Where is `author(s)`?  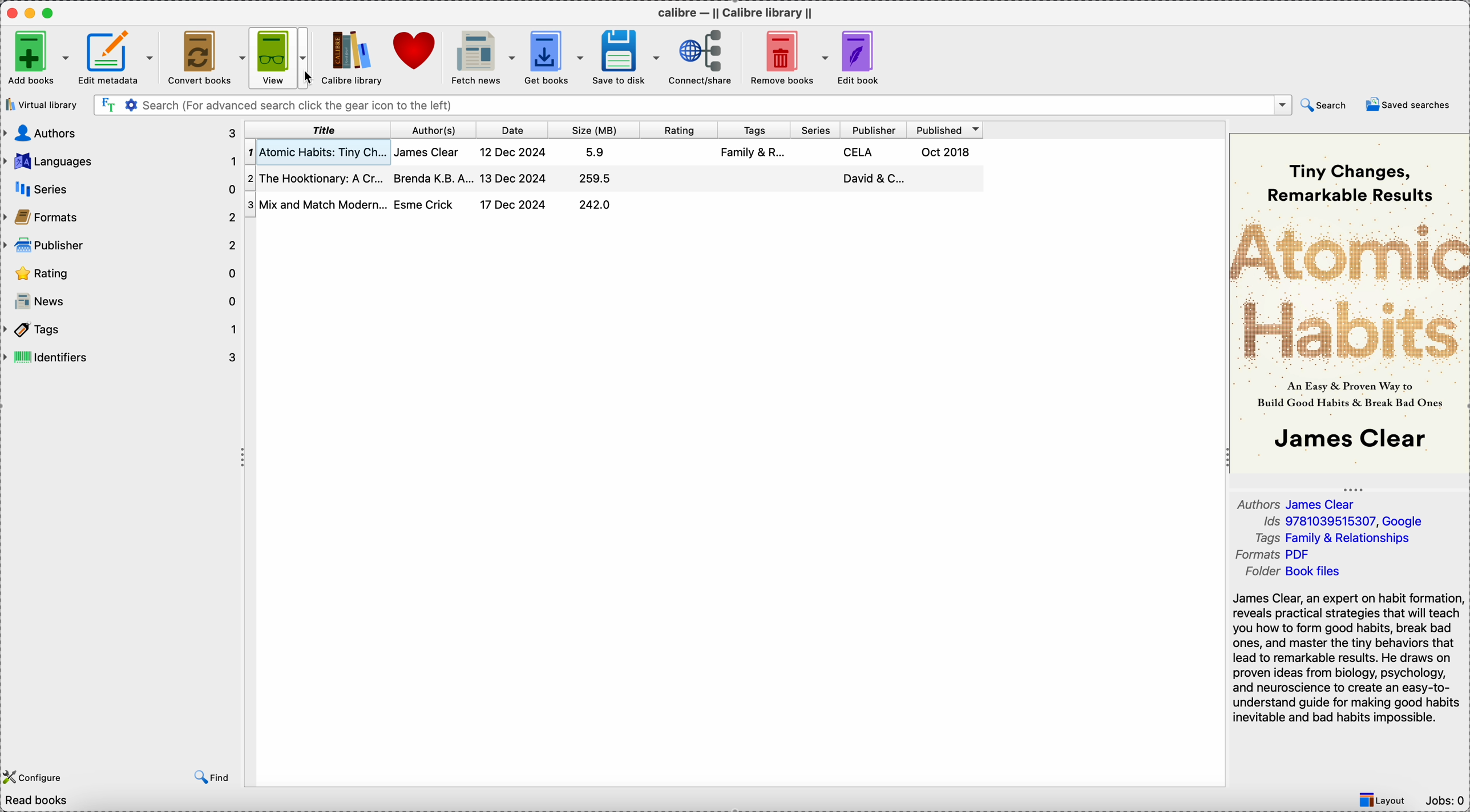
author(s) is located at coordinates (434, 128).